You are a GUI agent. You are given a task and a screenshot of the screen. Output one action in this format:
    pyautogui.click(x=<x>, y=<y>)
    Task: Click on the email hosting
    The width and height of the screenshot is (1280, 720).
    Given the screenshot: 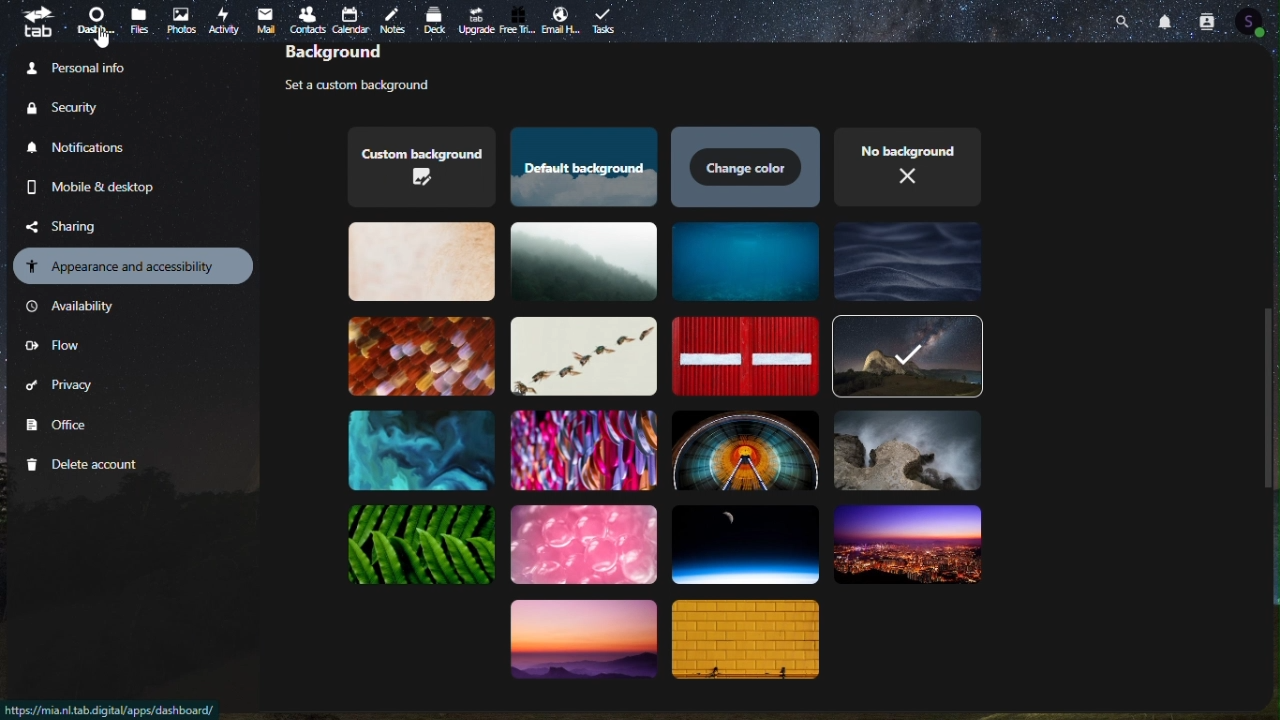 What is the action you would take?
    pyautogui.click(x=561, y=22)
    